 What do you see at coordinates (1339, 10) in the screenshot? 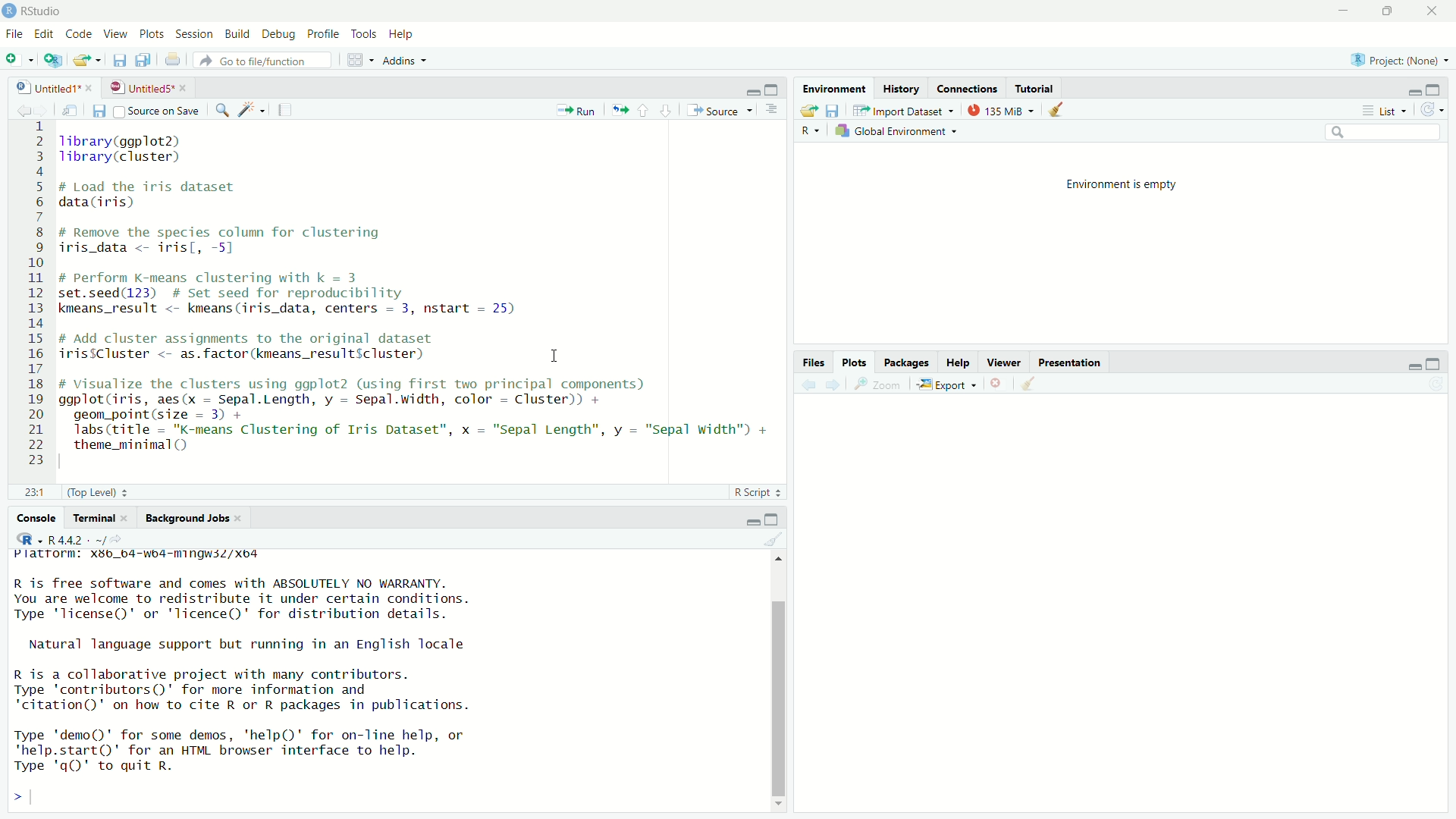
I see `minimize` at bounding box center [1339, 10].